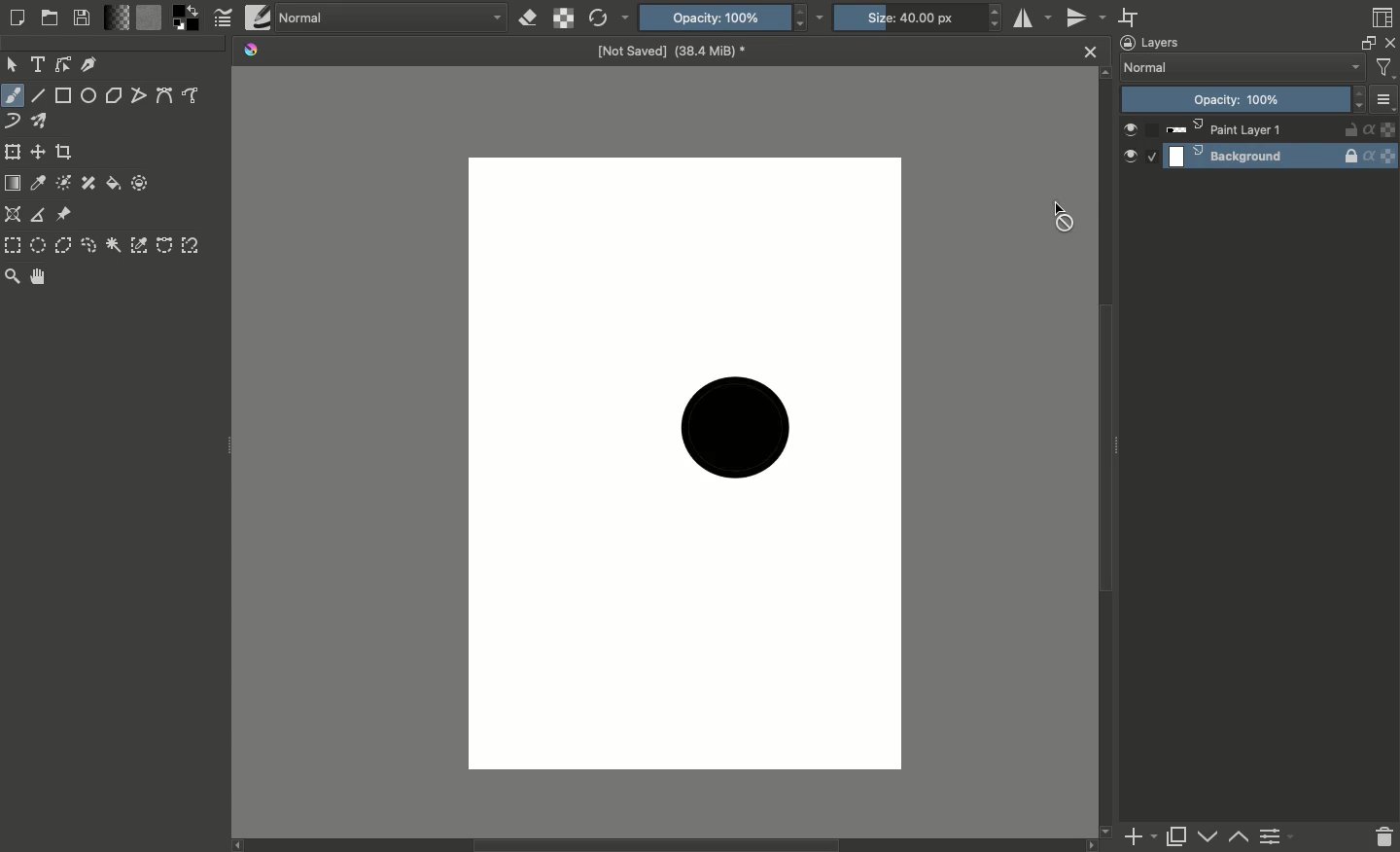  I want to click on Rectangle , so click(63, 94).